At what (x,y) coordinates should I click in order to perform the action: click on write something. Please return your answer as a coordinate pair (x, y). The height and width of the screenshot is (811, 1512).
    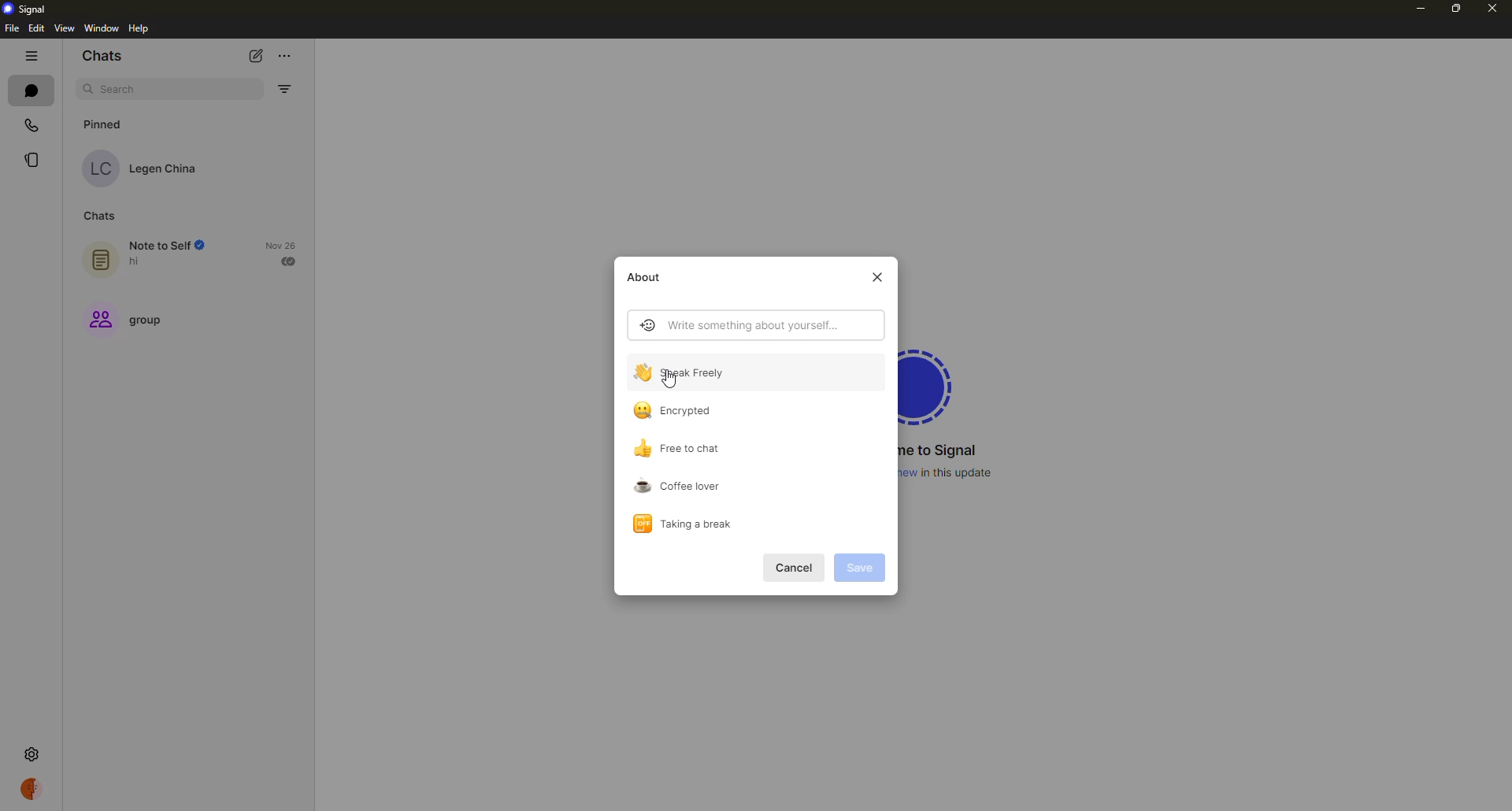
    Looking at the image, I should click on (738, 326).